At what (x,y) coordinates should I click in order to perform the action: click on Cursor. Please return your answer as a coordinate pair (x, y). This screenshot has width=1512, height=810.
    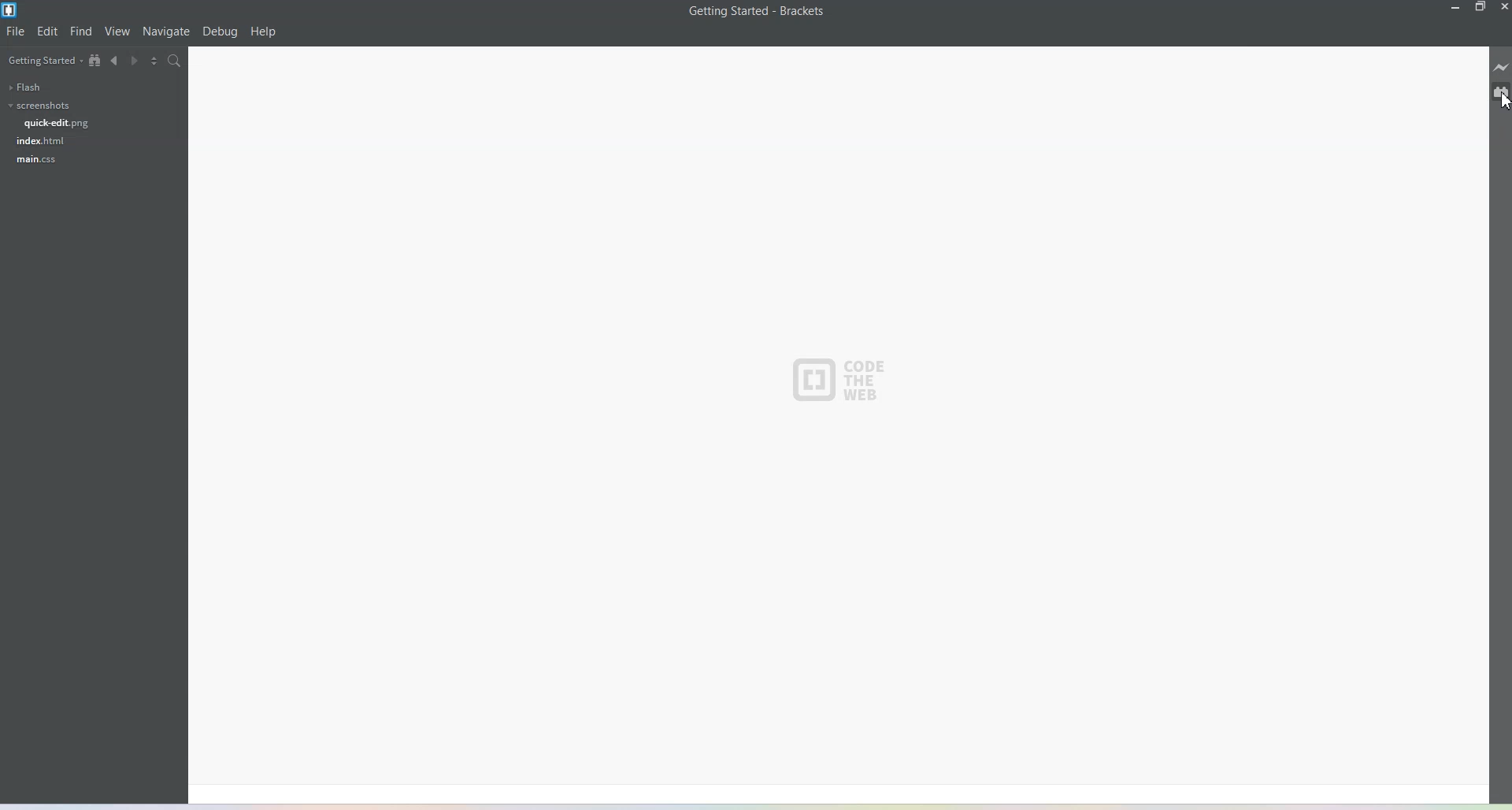
    Looking at the image, I should click on (1498, 105).